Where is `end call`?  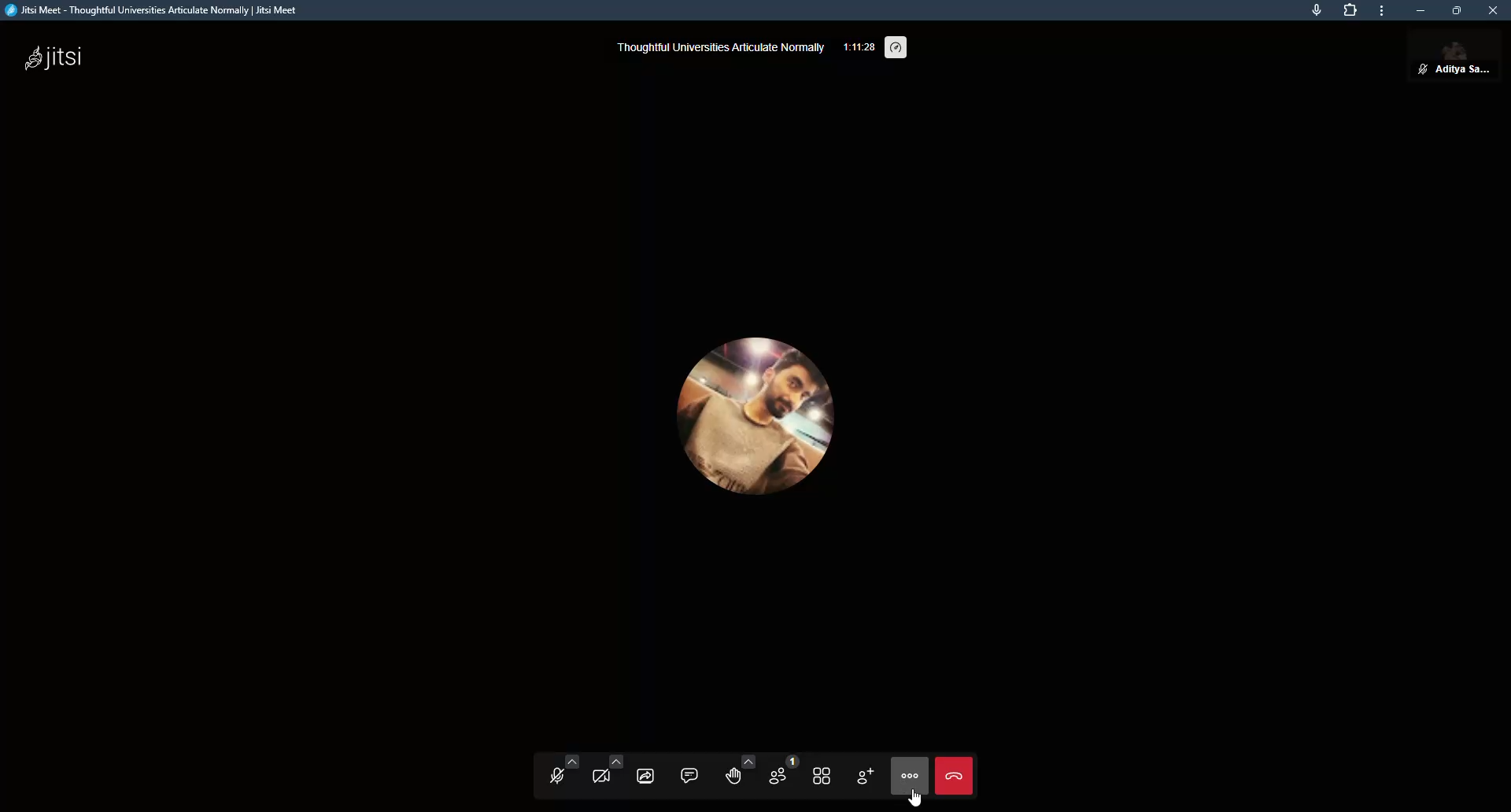 end call is located at coordinates (955, 778).